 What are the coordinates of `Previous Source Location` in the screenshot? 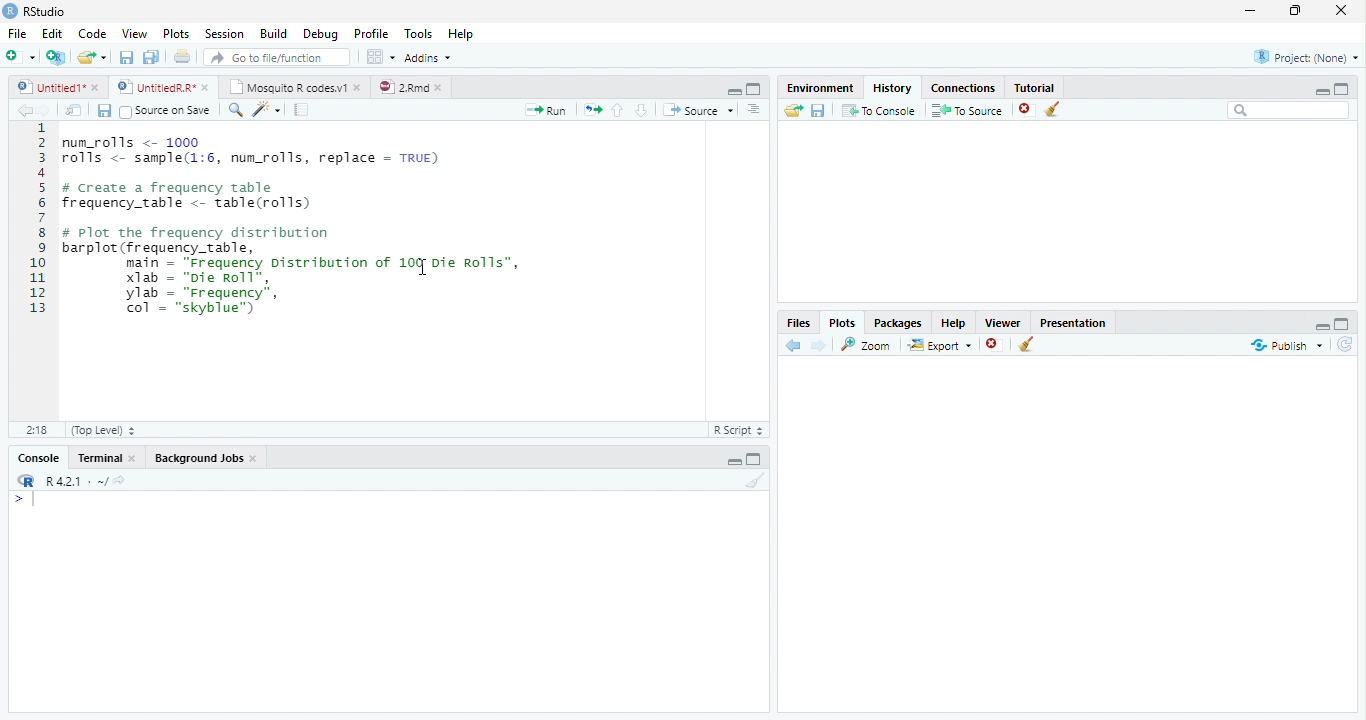 It's located at (22, 110).